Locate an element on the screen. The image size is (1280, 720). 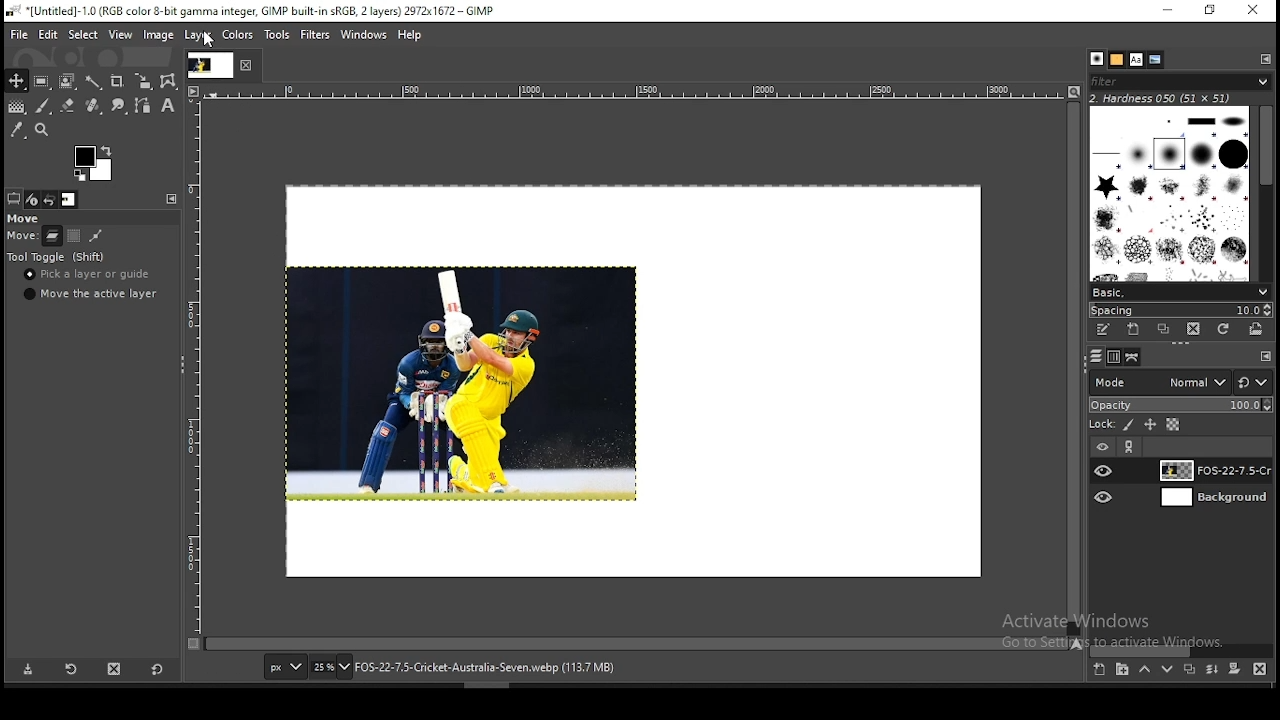
edit is located at coordinates (50, 34).